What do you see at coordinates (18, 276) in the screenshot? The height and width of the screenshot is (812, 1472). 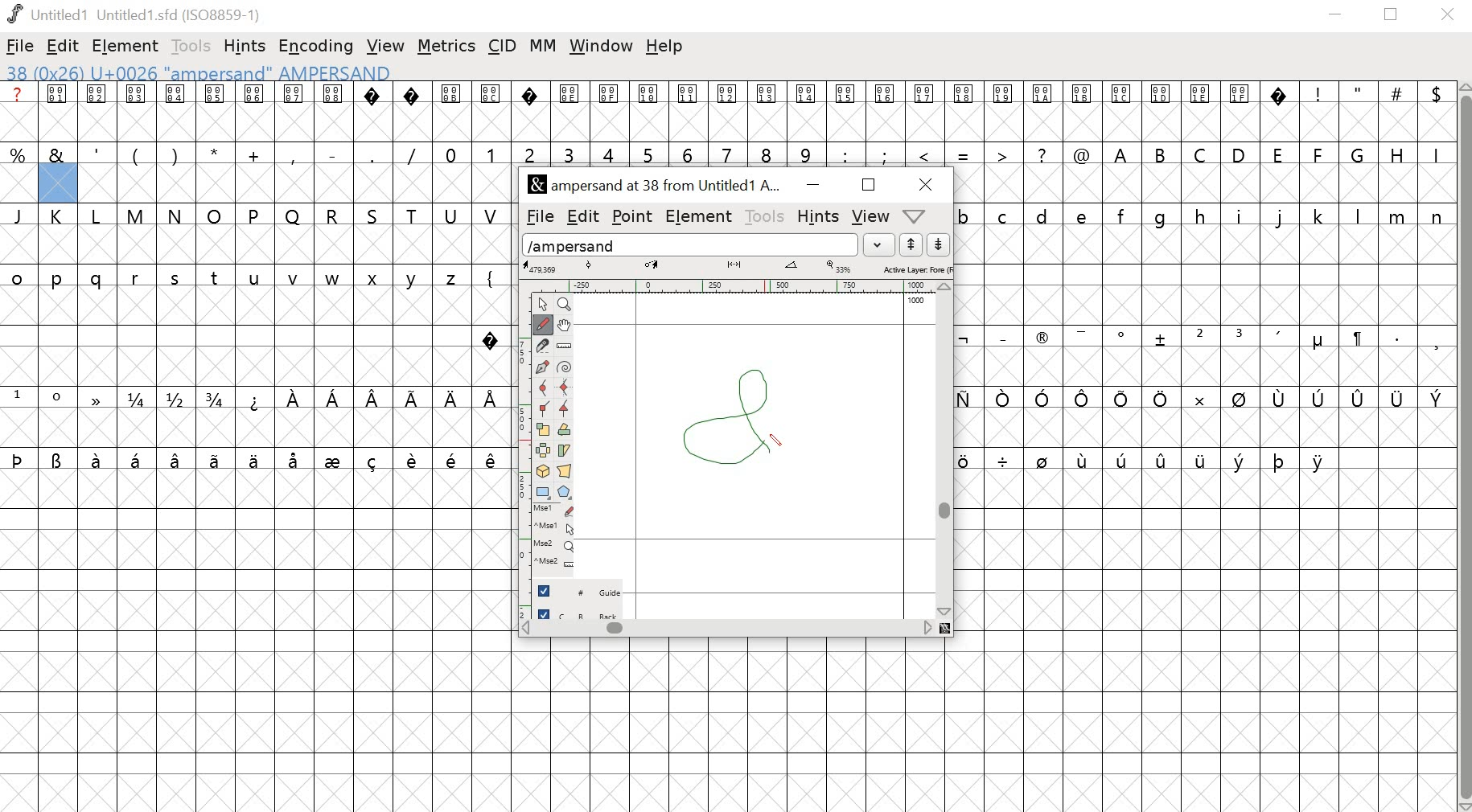 I see `o` at bounding box center [18, 276].